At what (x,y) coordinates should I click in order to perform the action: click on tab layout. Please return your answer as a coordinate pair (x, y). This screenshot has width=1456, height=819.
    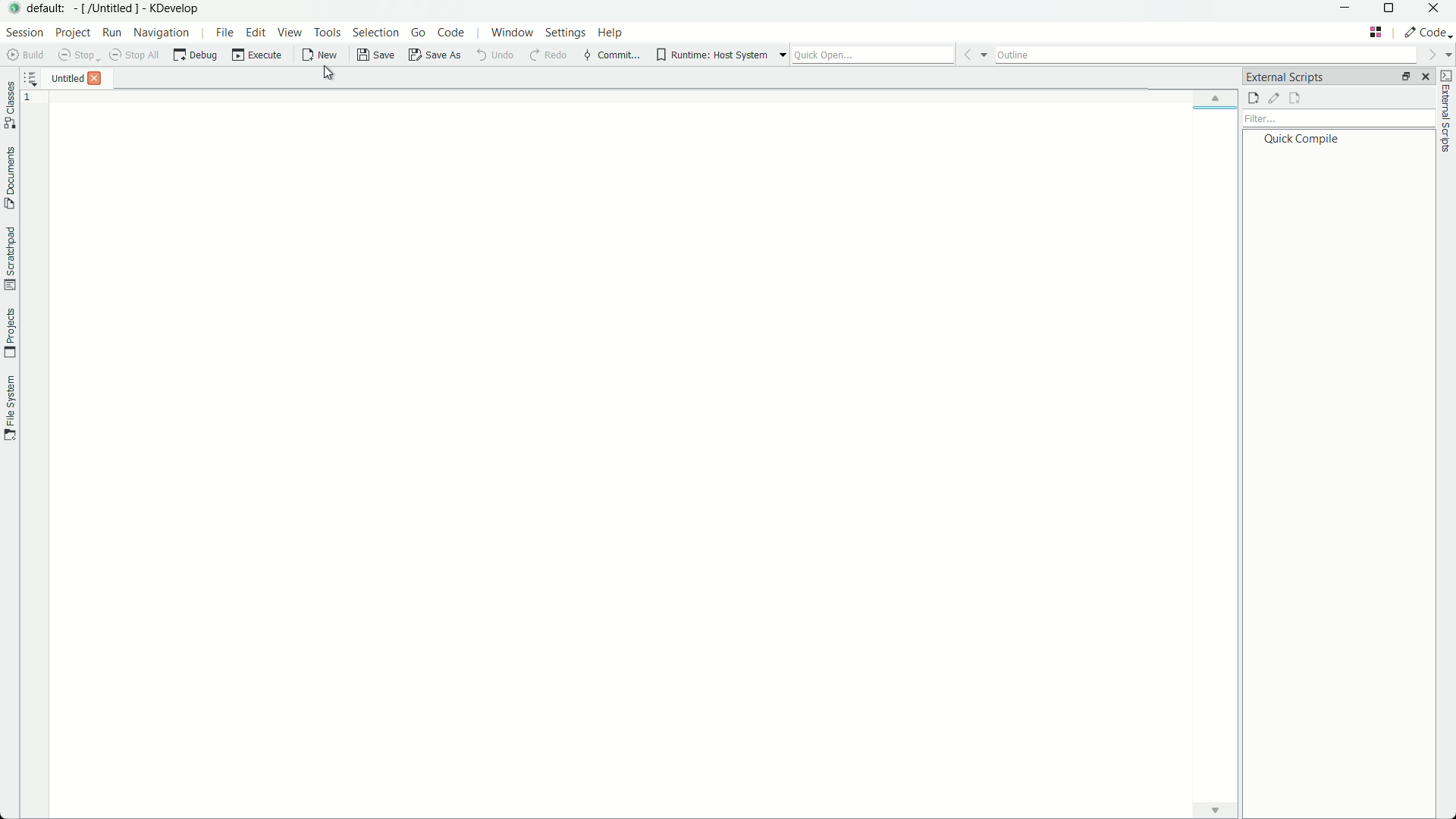
    Looking at the image, I should click on (1375, 35).